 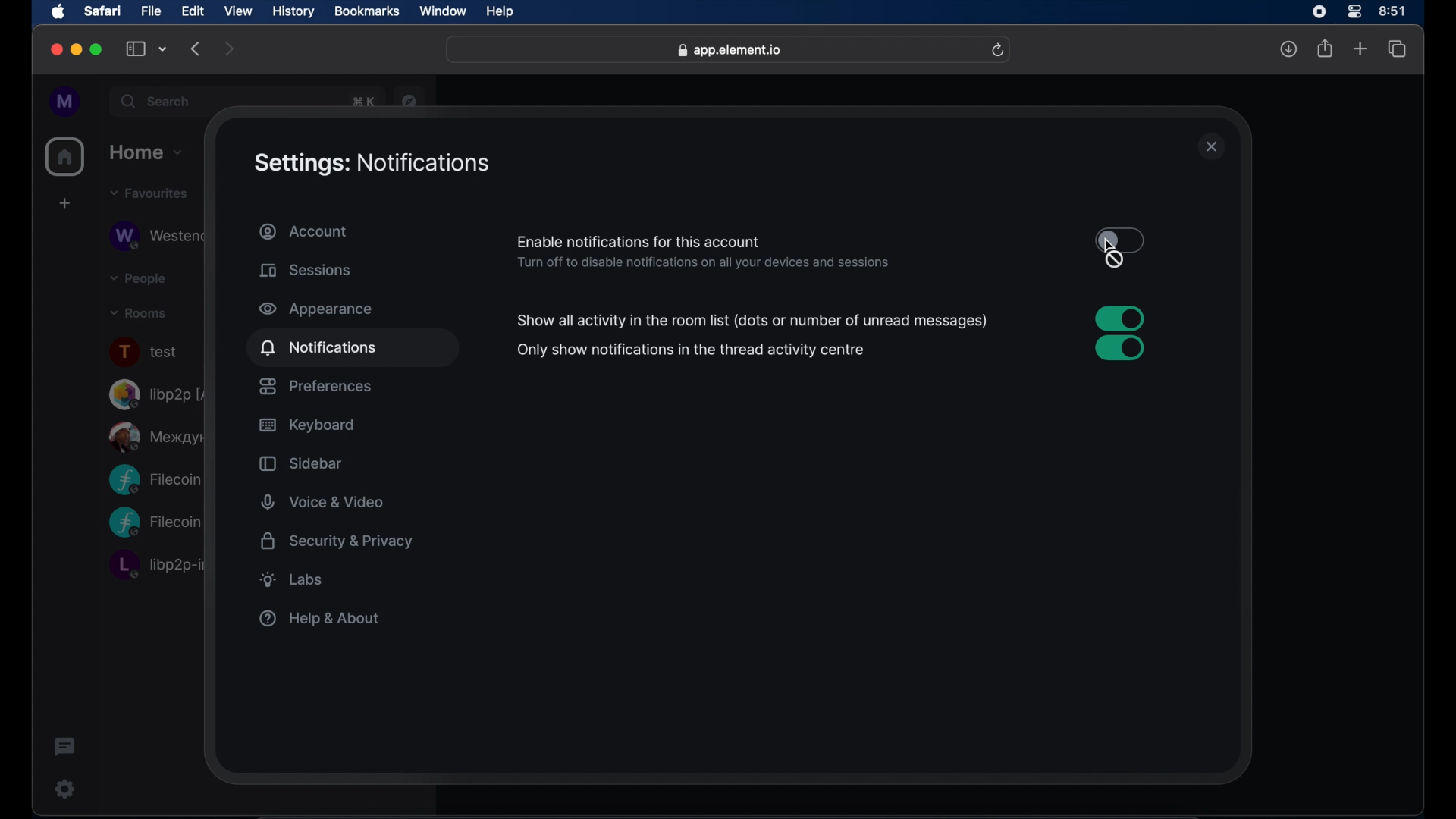 I want to click on toggle button, so click(x=1122, y=240).